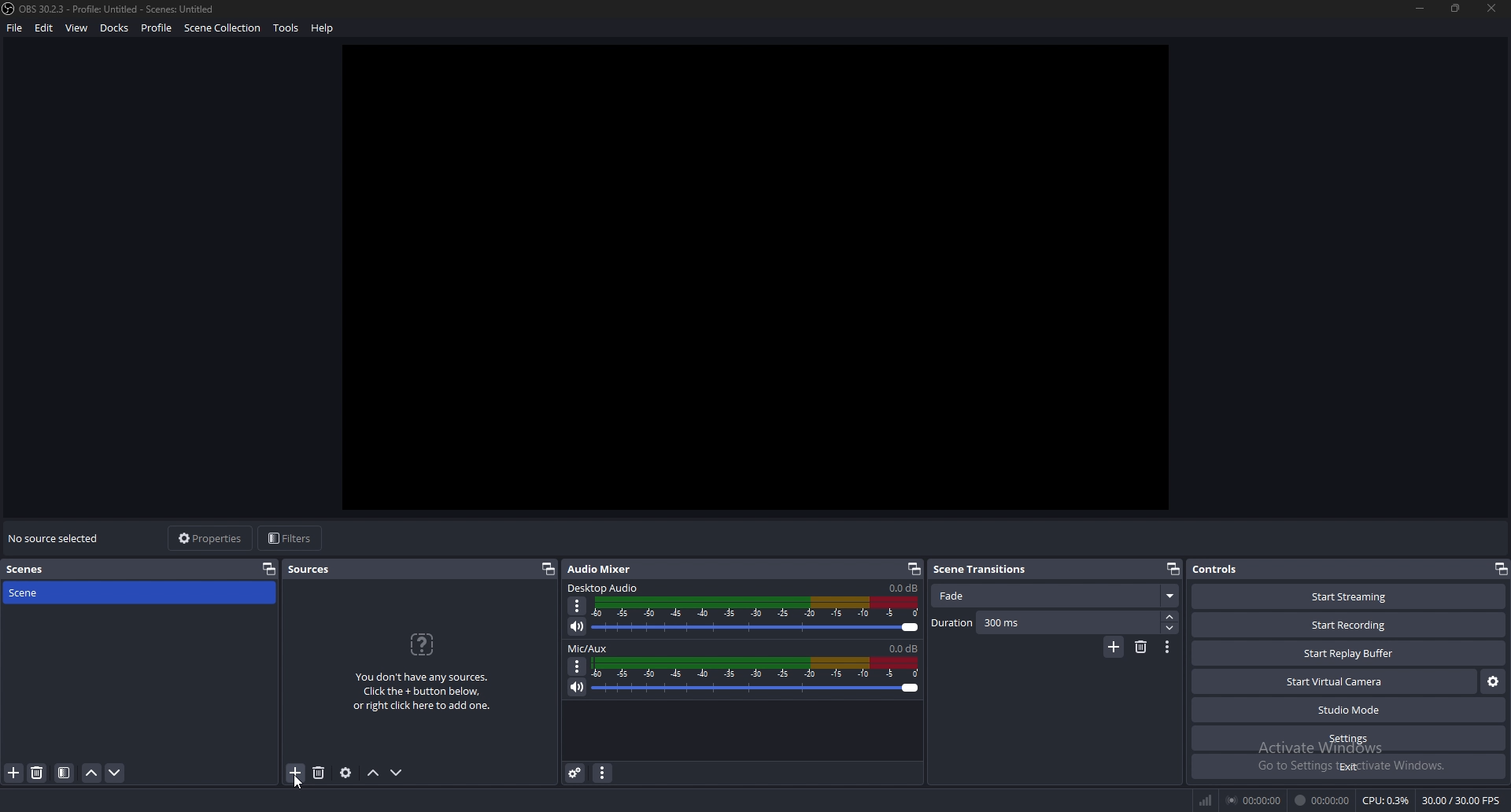 This screenshot has height=812, width=1511. Describe the element at coordinates (296, 772) in the screenshot. I see `add source` at that location.